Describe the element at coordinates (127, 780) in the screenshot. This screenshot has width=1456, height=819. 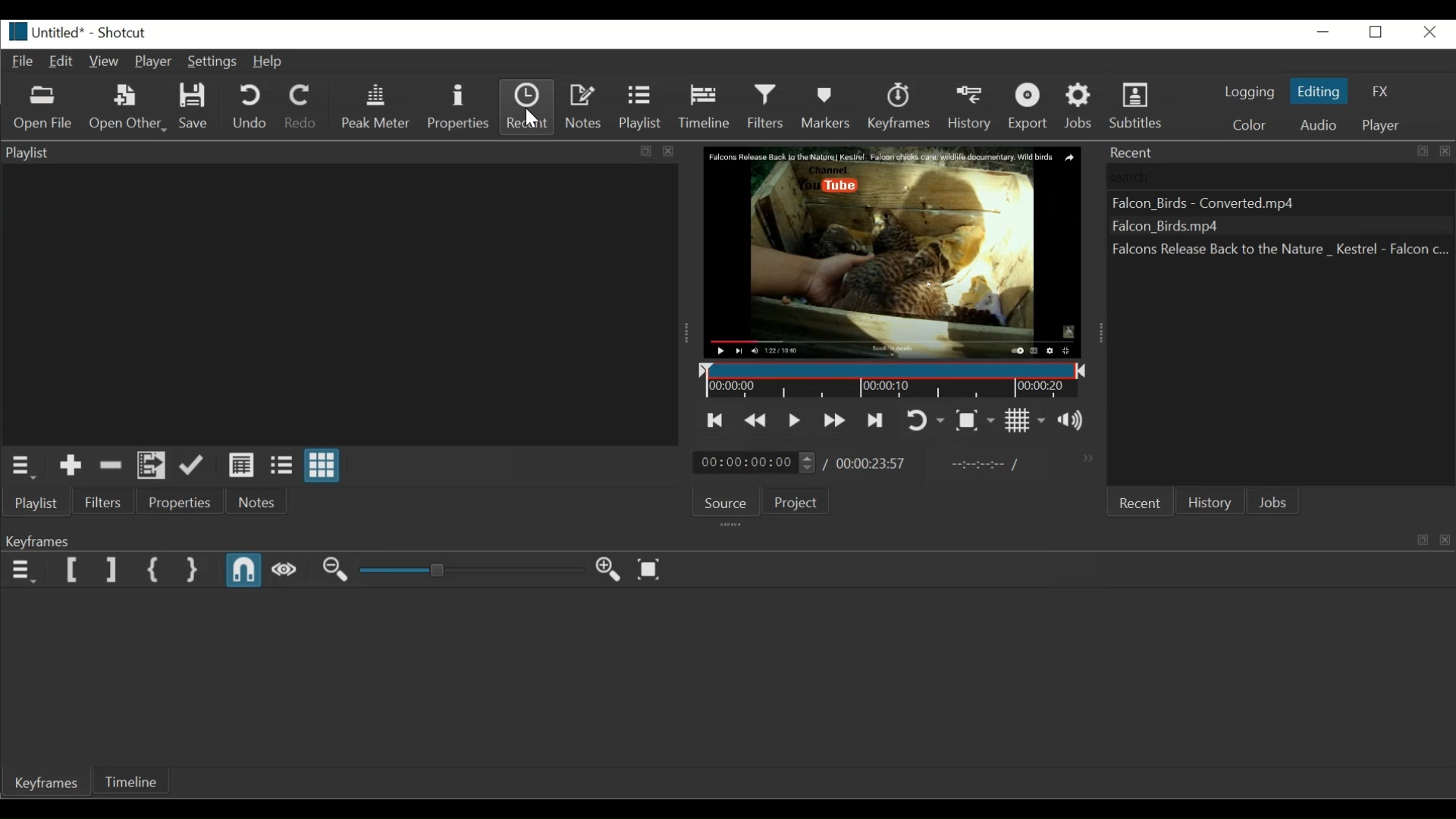
I see `Timeline` at that location.